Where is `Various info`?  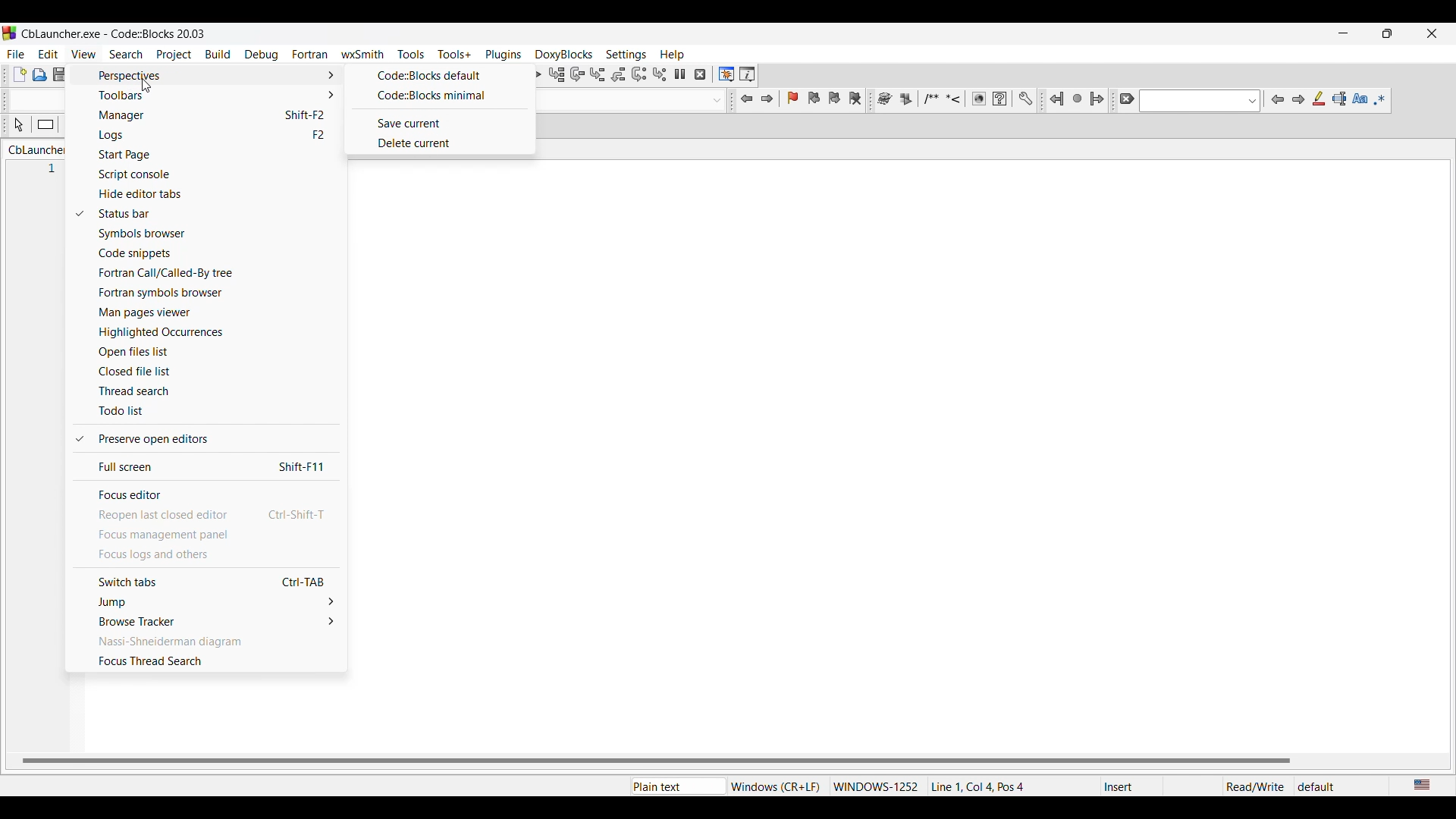 Various info is located at coordinates (747, 74).